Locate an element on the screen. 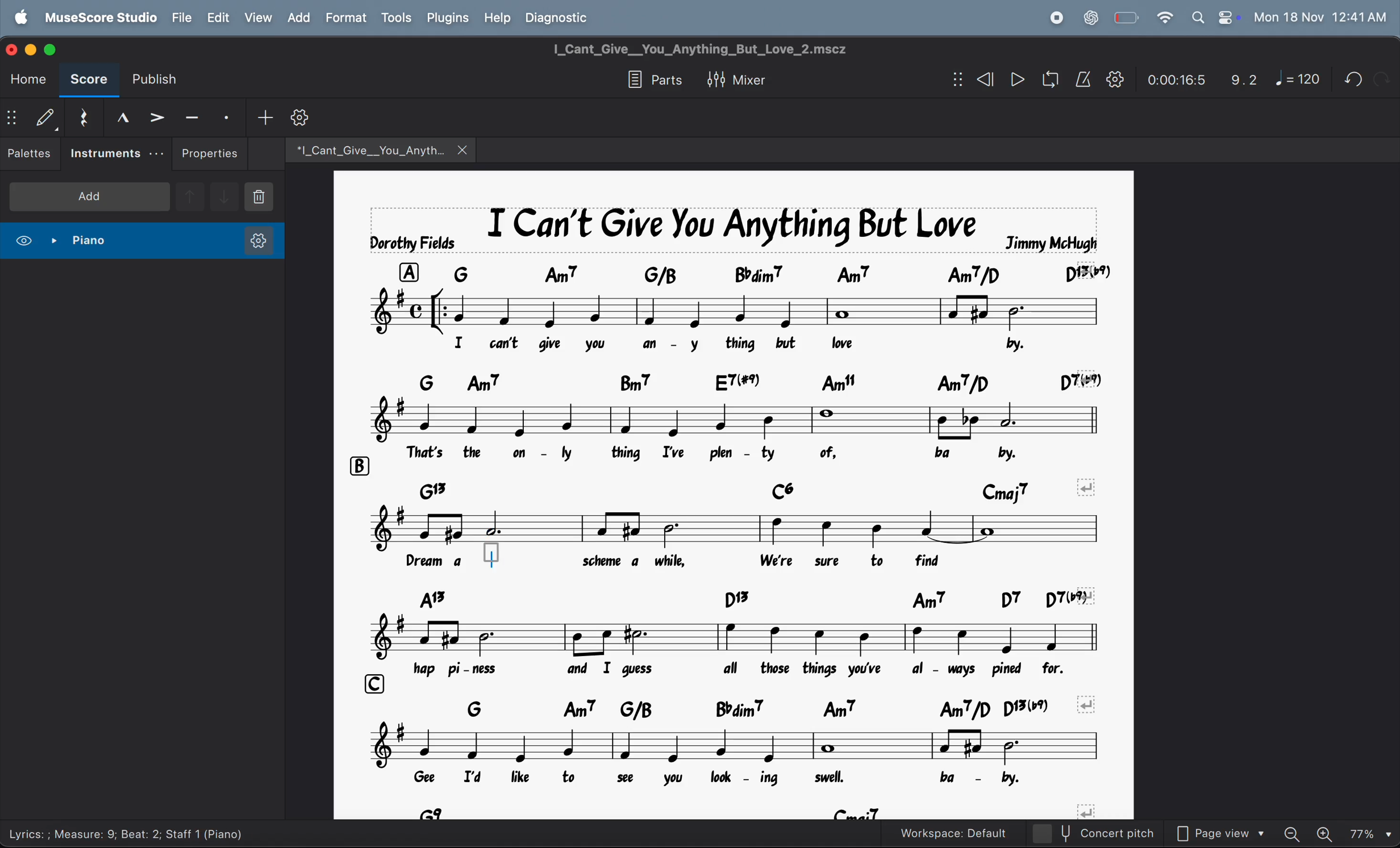  rewind is located at coordinates (986, 79).